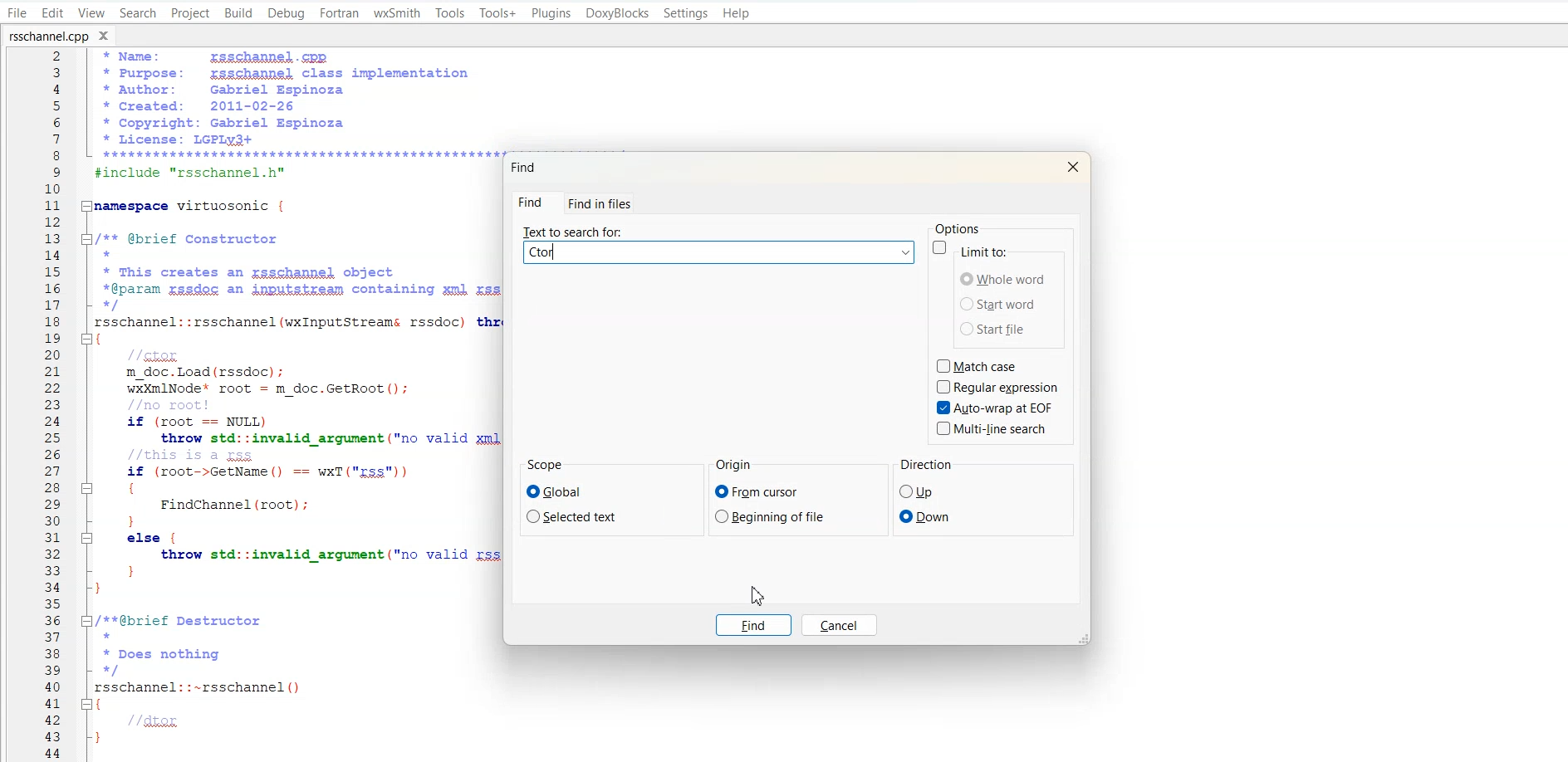 The image size is (1568, 762). I want to click on Collapse, so click(88, 622).